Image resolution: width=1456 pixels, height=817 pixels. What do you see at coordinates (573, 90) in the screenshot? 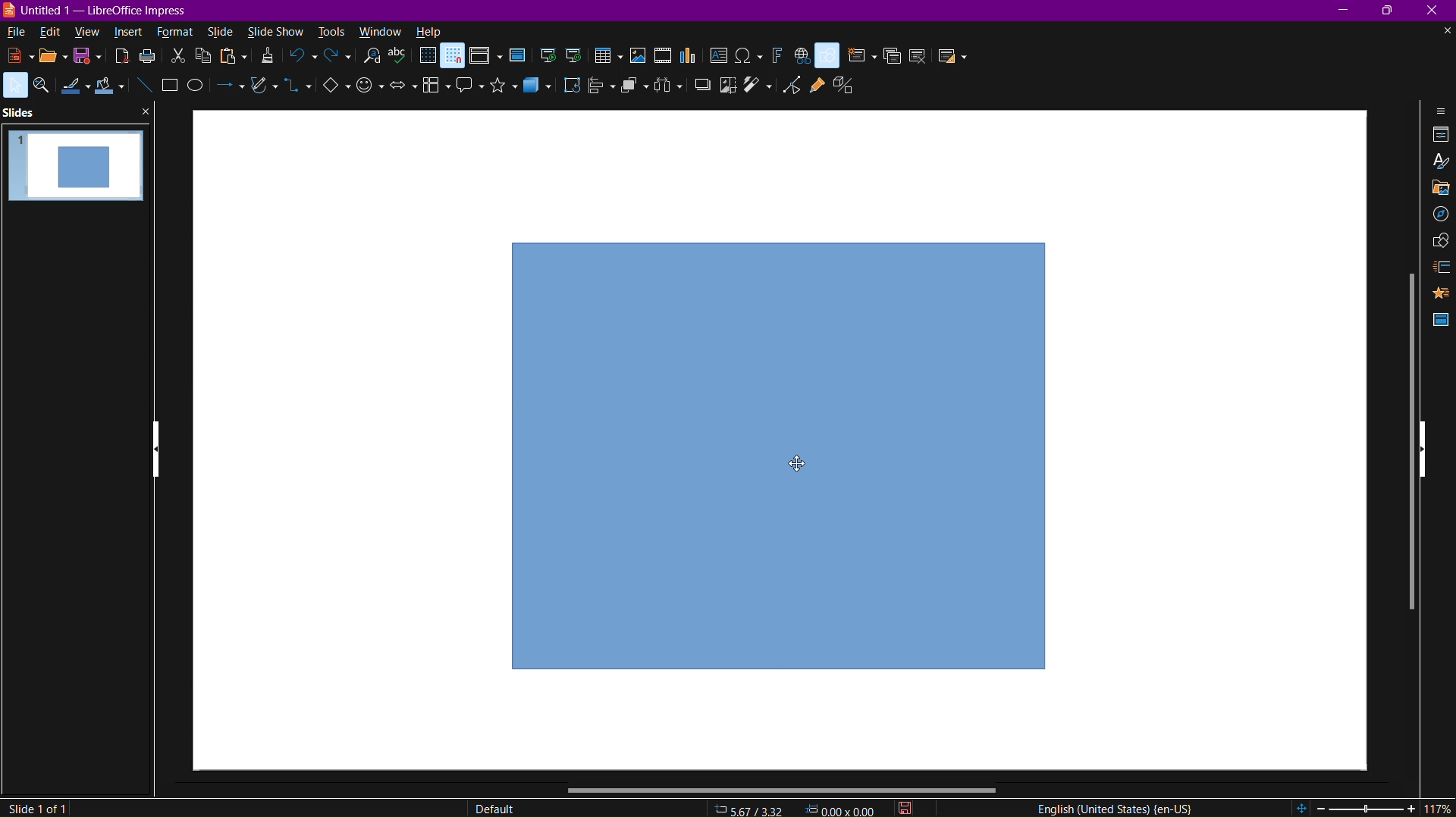
I see `Rotate` at bounding box center [573, 90].